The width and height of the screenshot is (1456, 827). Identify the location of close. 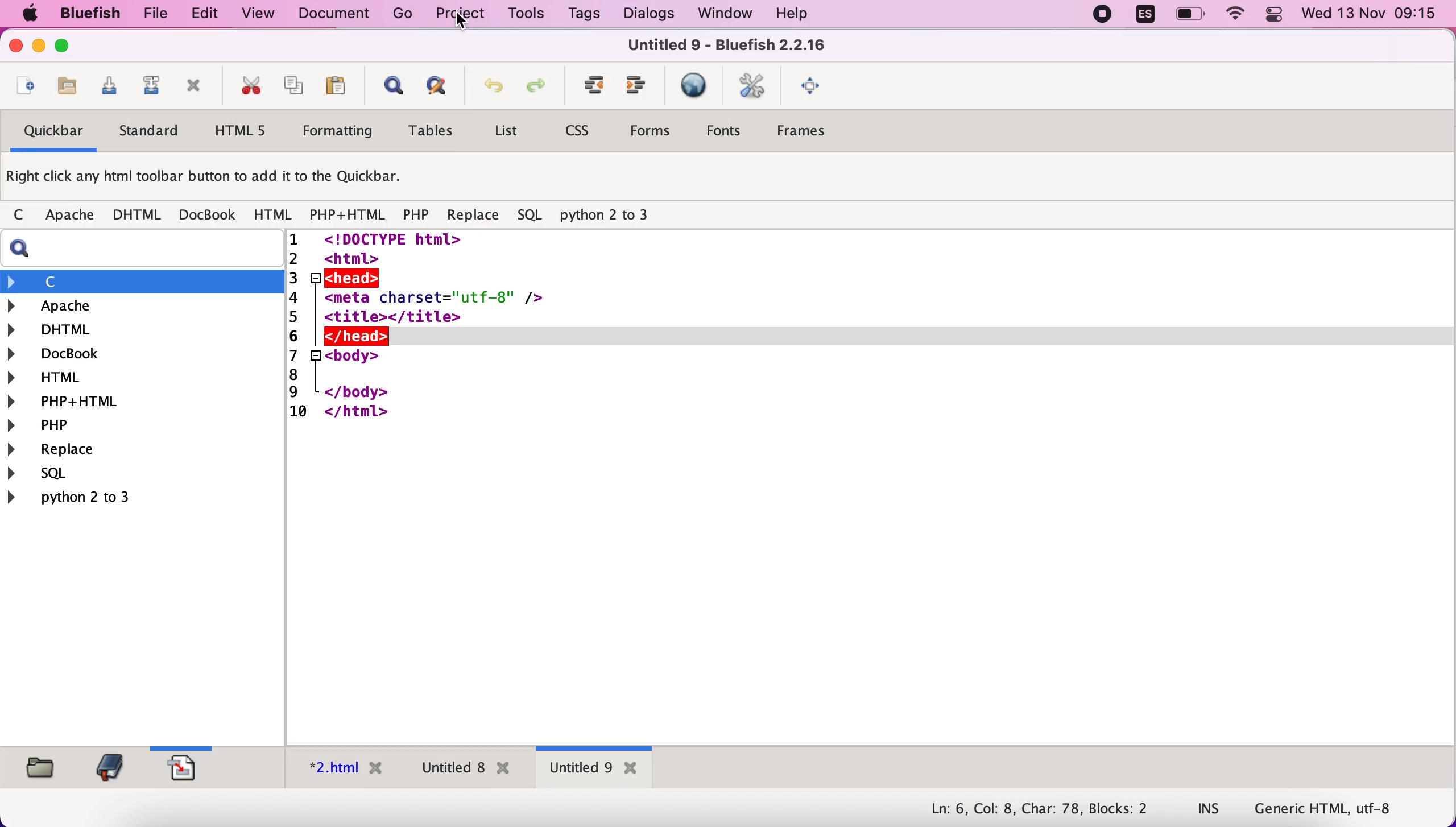
(13, 48).